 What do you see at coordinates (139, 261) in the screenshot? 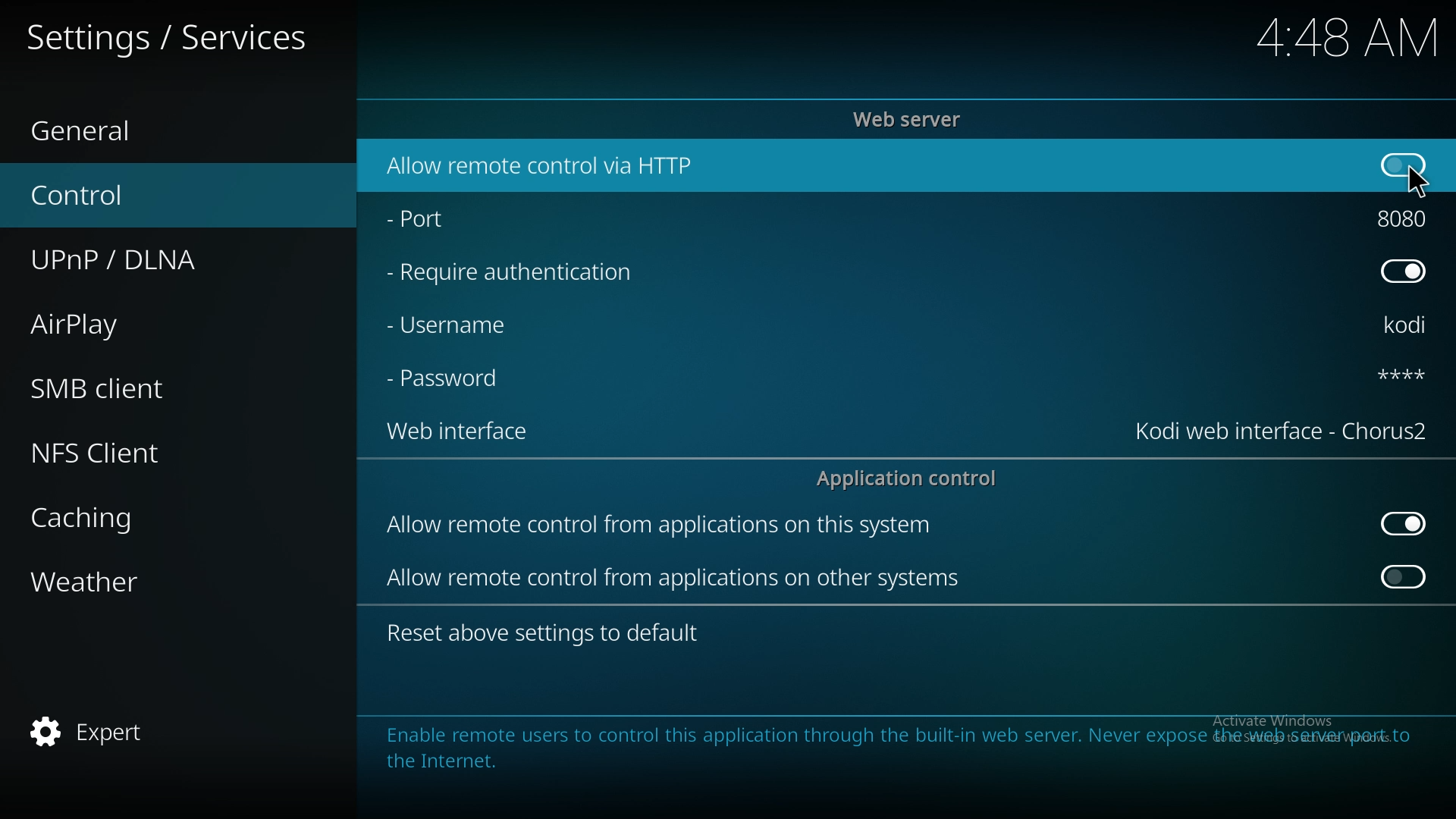
I see `upnp/dlna` at bounding box center [139, 261].